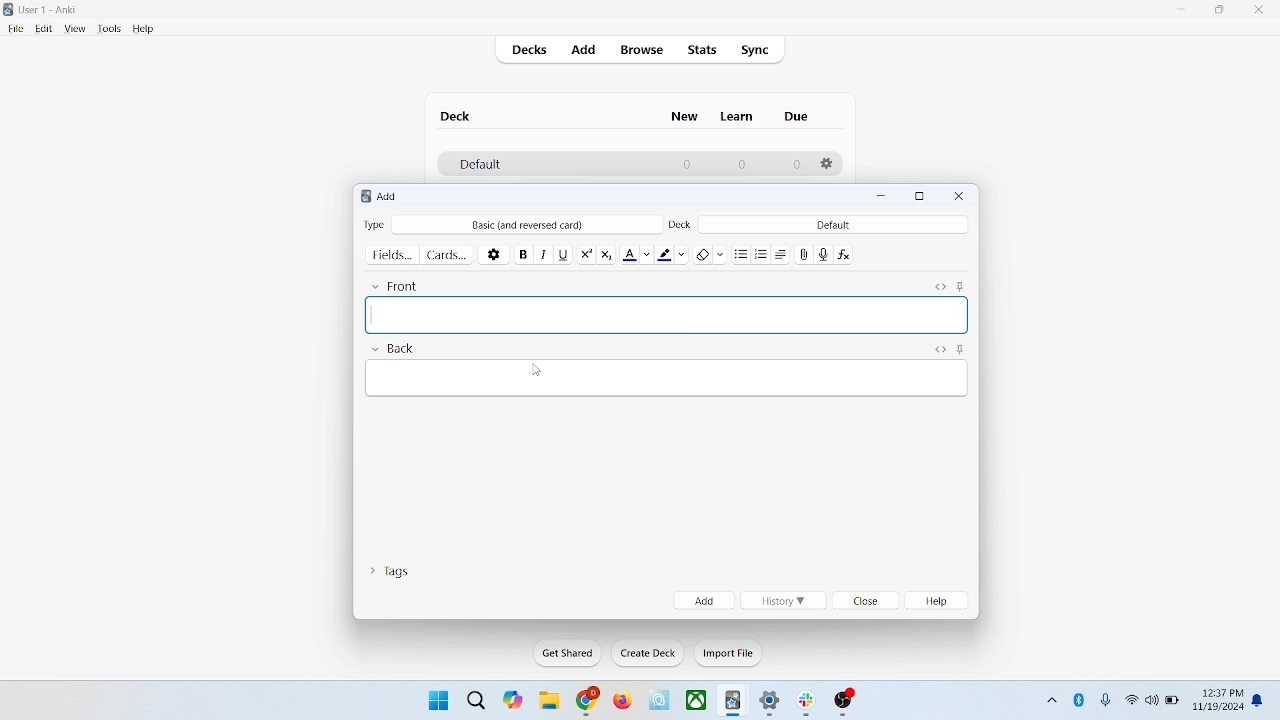  What do you see at coordinates (884, 197) in the screenshot?
I see `minimize` at bounding box center [884, 197].